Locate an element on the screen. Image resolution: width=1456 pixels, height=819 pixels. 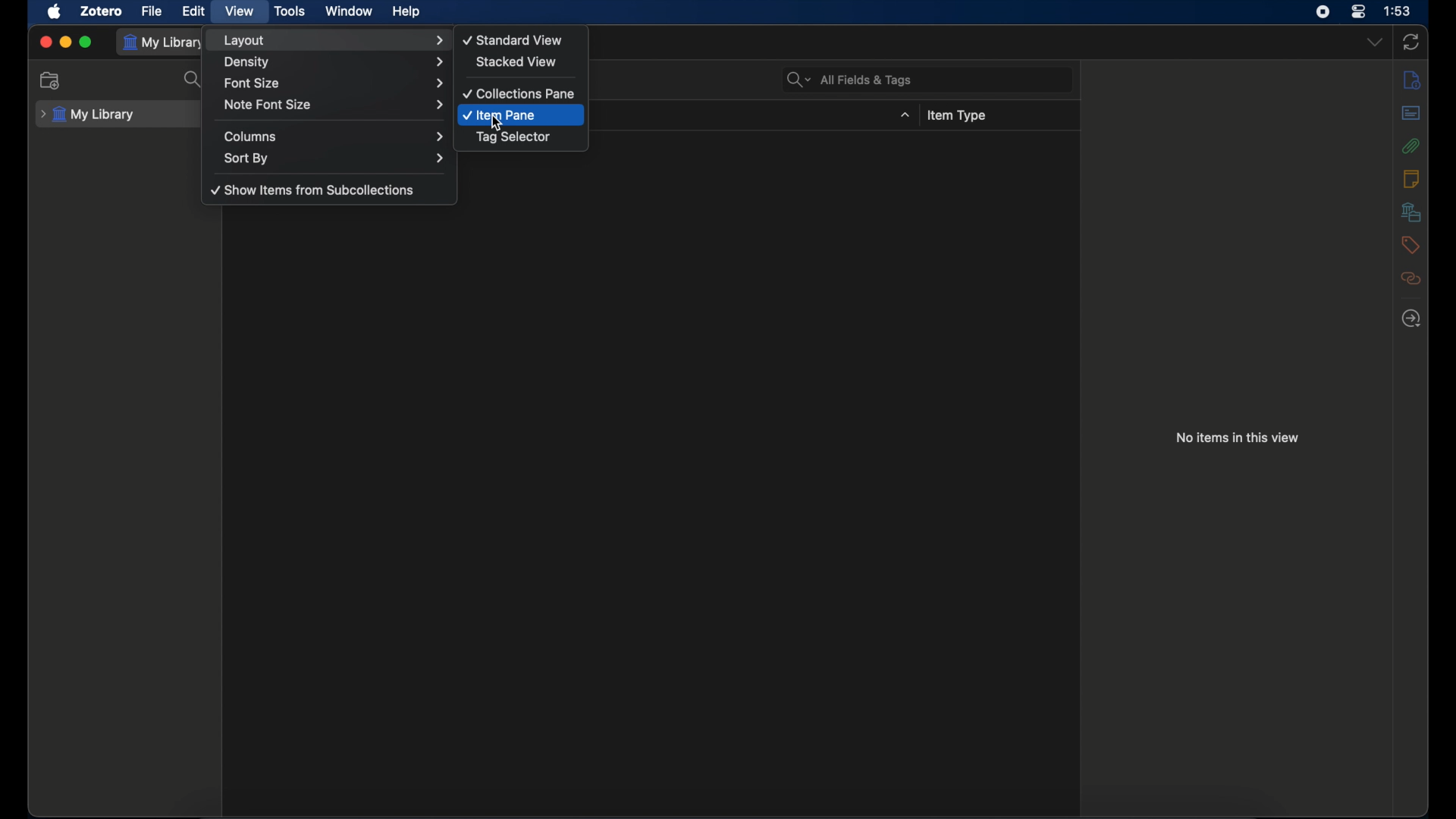
info is located at coordinates (1412, 80).